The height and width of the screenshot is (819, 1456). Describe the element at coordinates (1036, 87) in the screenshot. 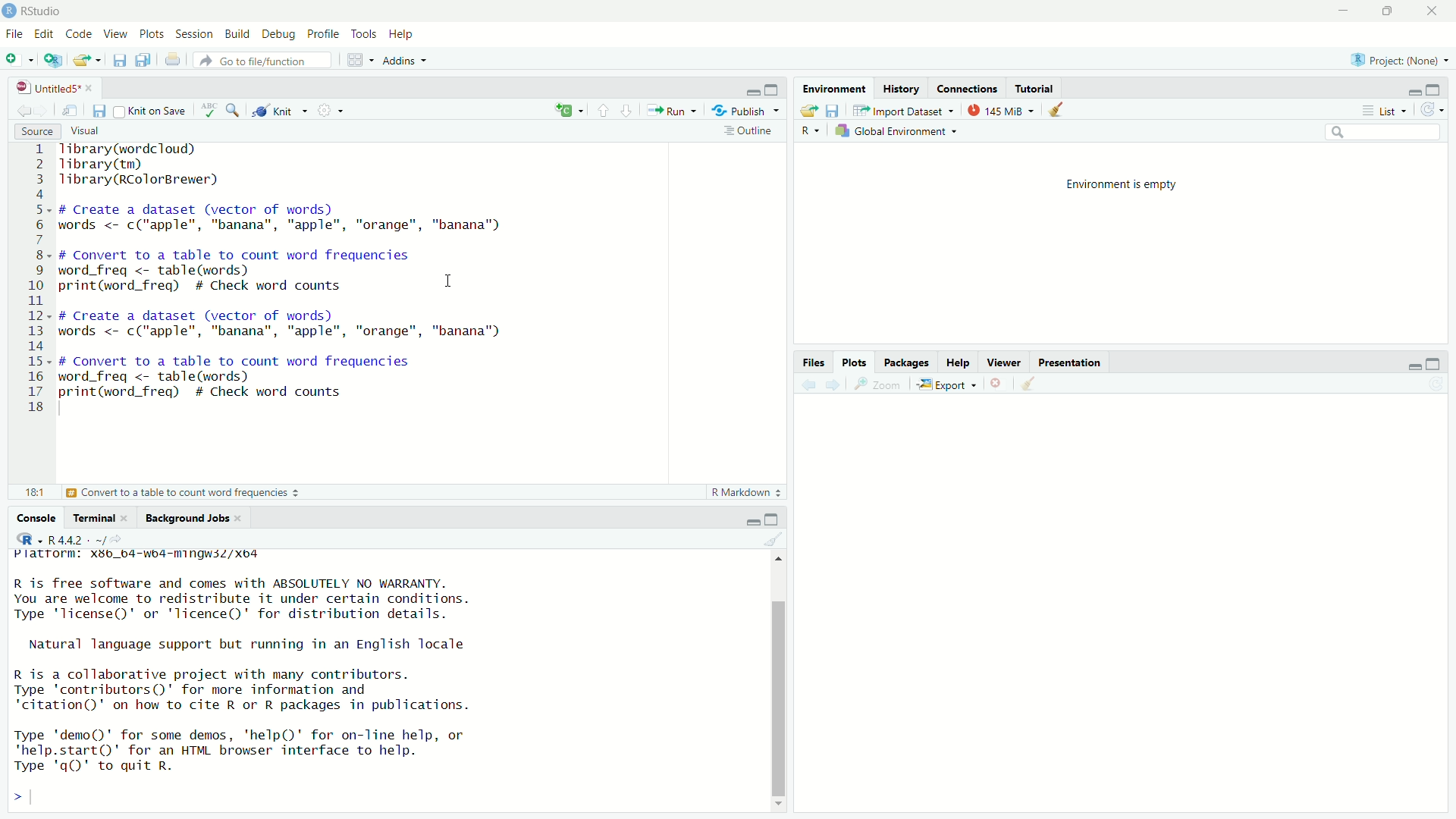

I see `Tutorial` at that location.